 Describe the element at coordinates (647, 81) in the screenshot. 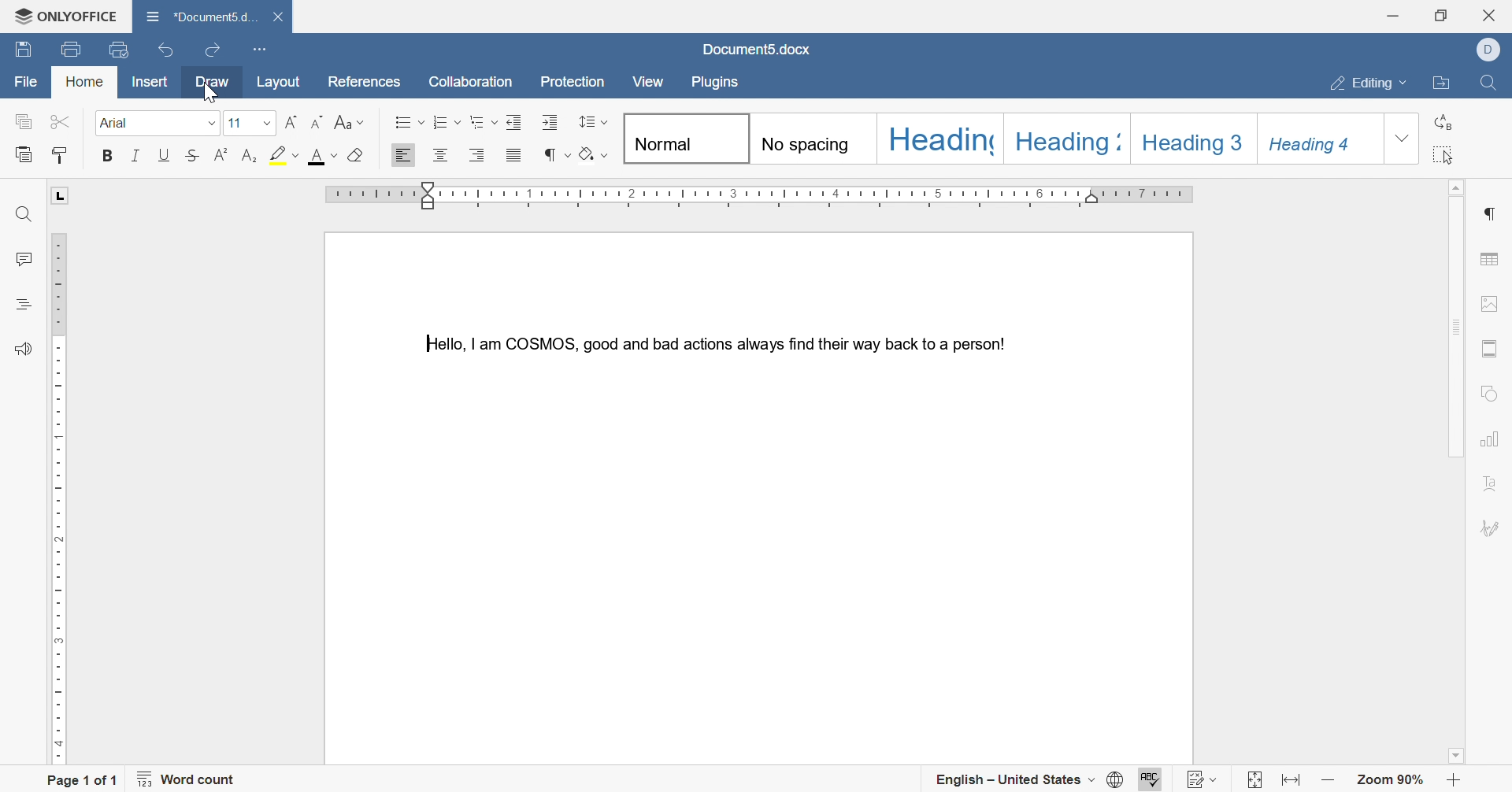

I see `view` at that location.